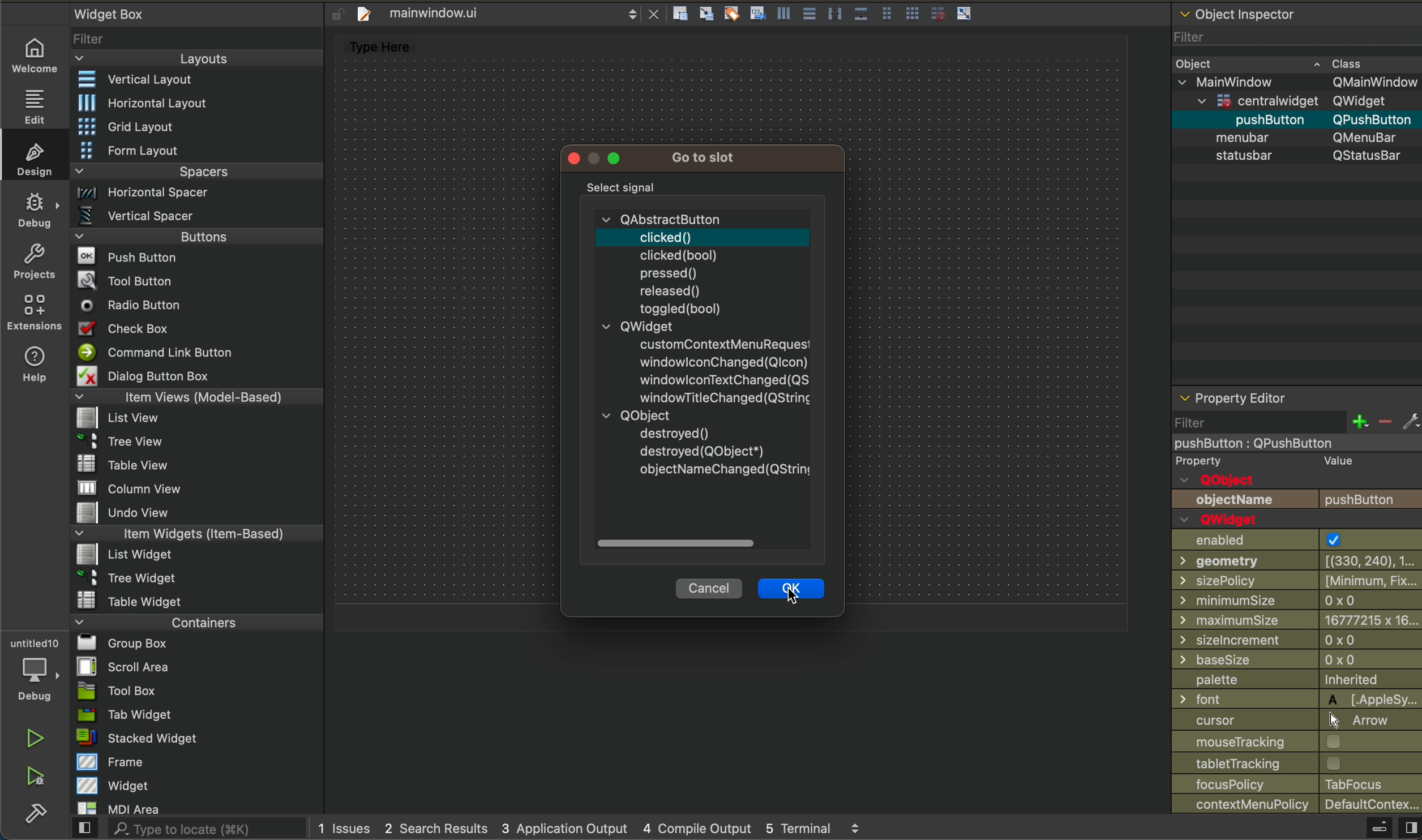 This screenshot has height=840, width=1422. Describe the element at coordinates (1296, 659) in the screenshot. I see `base size` at that location.